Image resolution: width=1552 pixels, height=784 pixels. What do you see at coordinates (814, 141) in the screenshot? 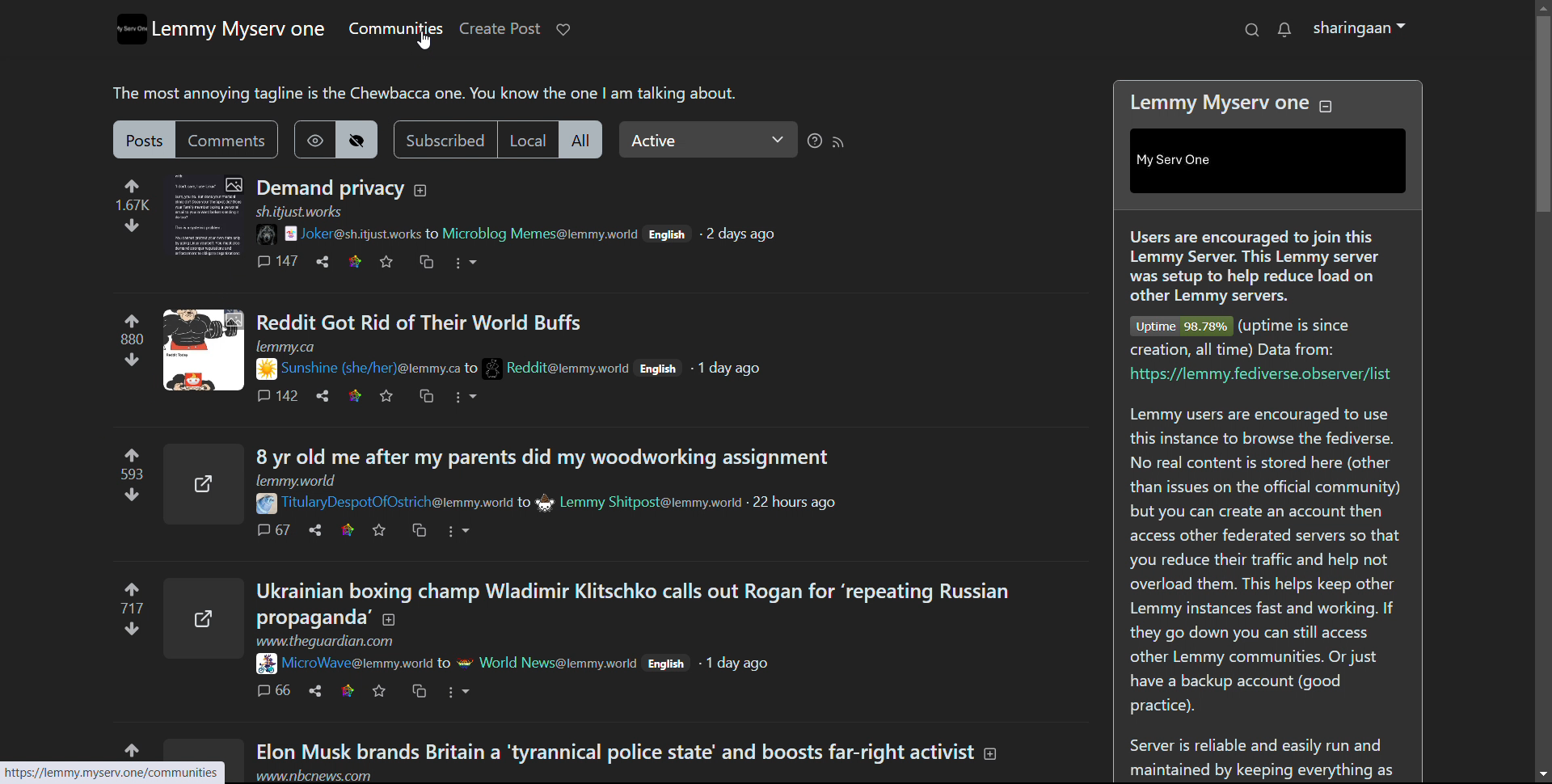
I see `sorting help` at bounding box center [814, 141].